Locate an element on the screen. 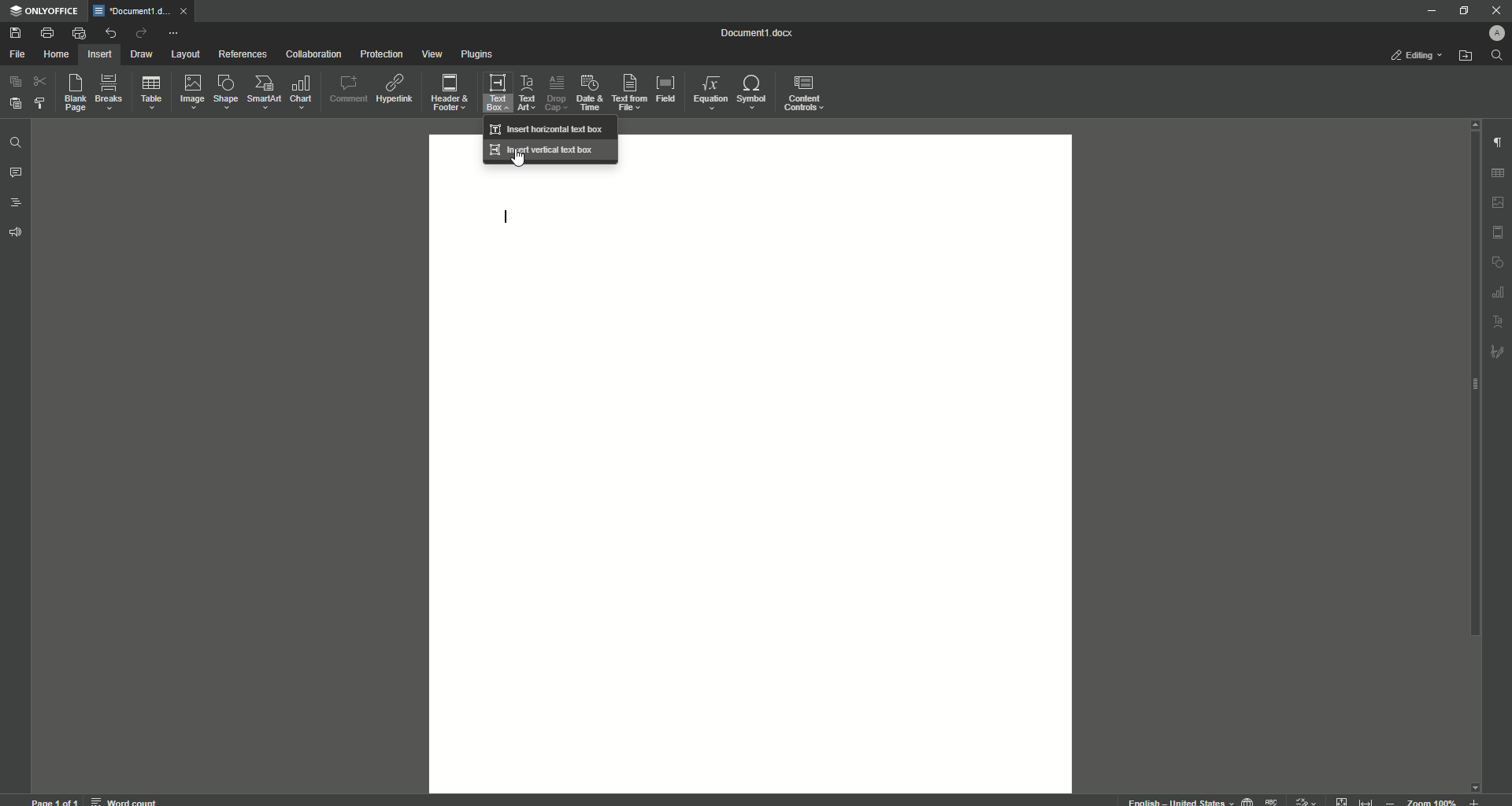  Text Line is located at coordinates (510, 219).